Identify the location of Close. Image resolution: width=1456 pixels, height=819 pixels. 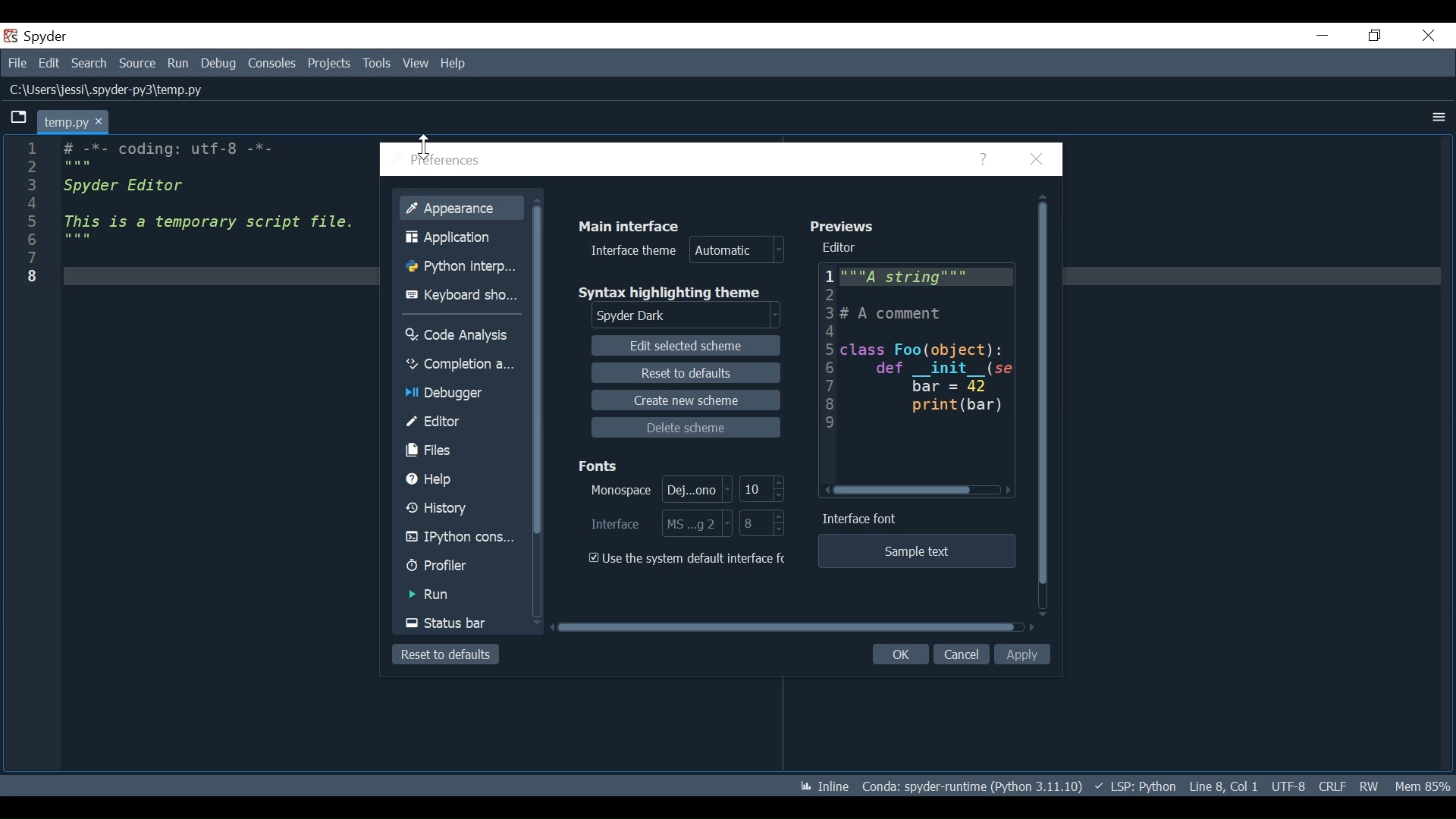
(1429, 36).